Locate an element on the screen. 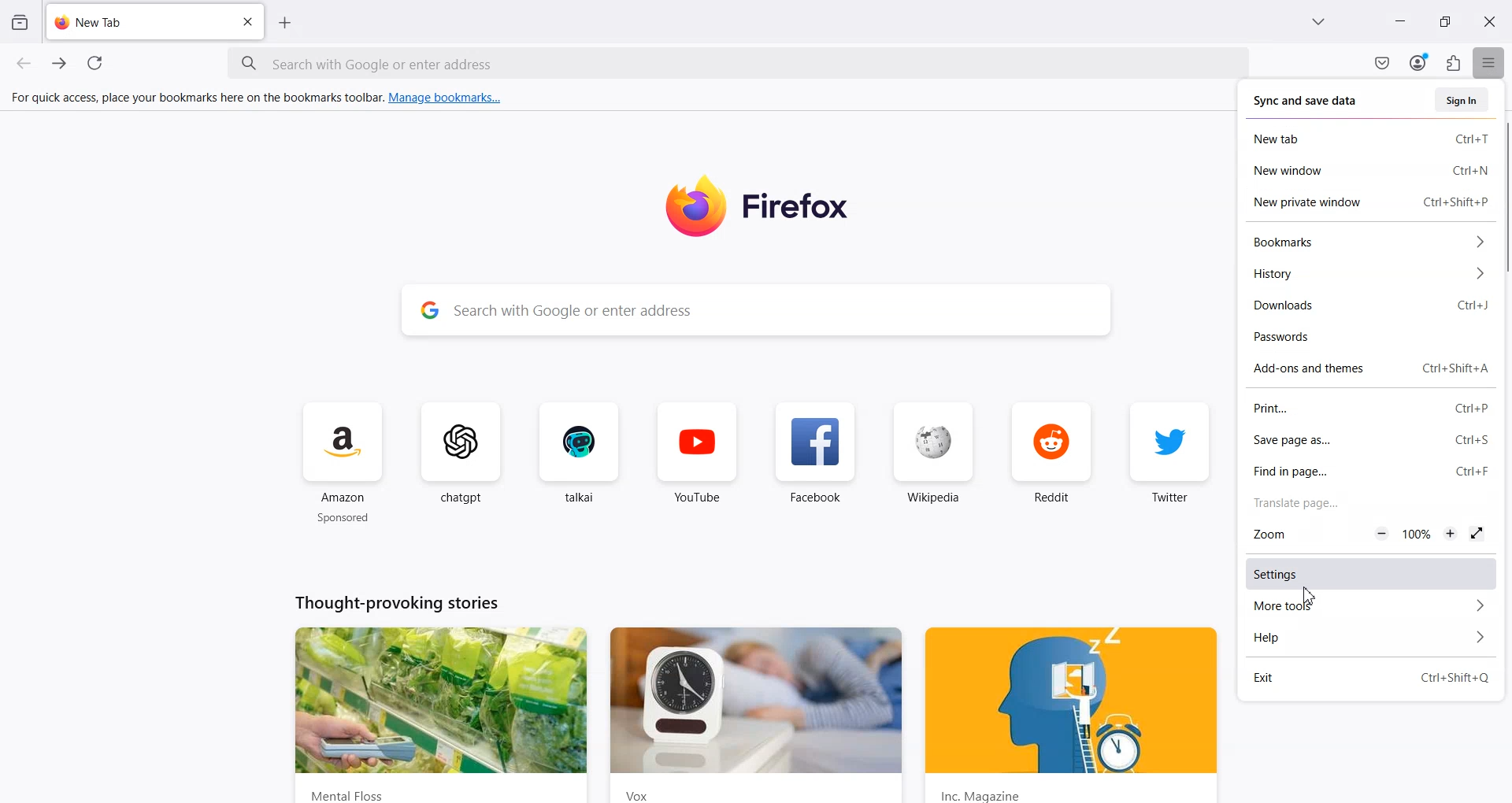  New tab Ctri+T is located at coordinates (1369, 139).